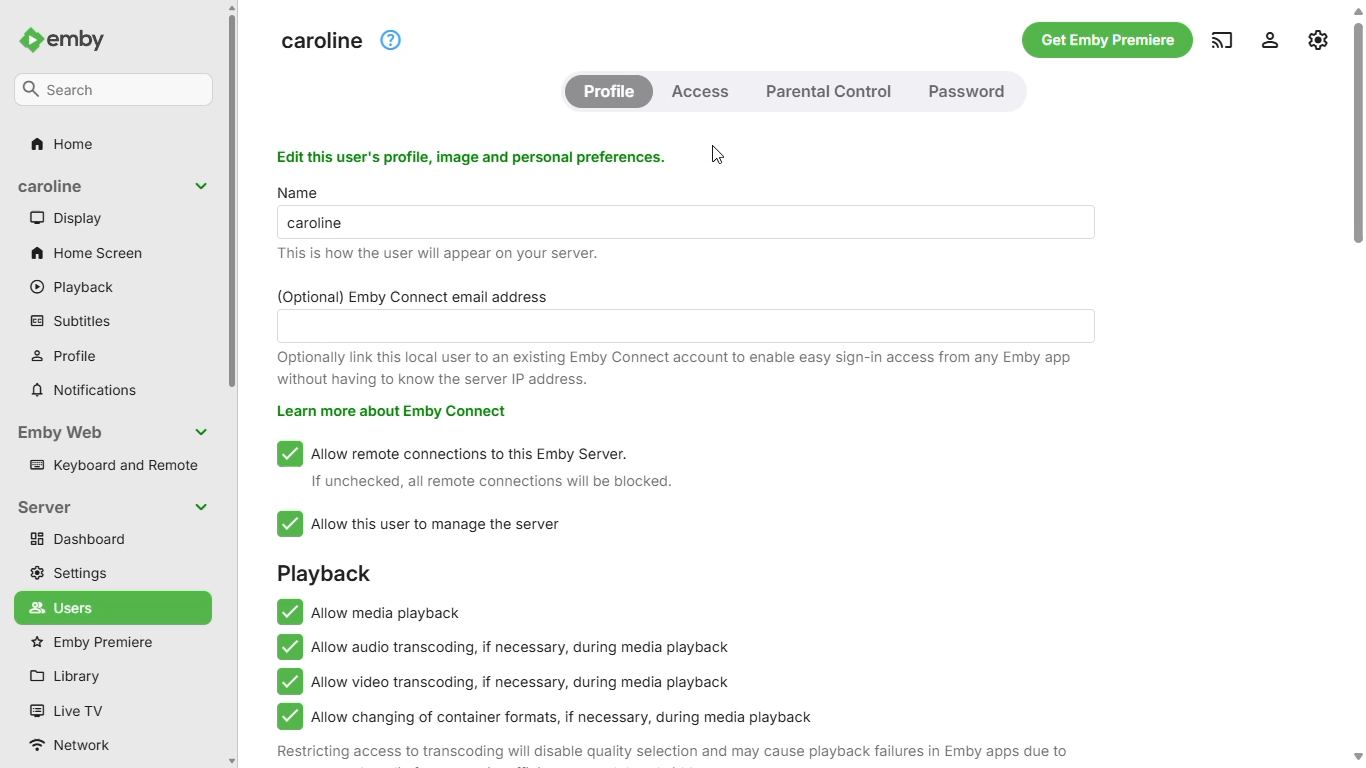  I want to click on (optional) Emby Connect email address, so click(692, 338).